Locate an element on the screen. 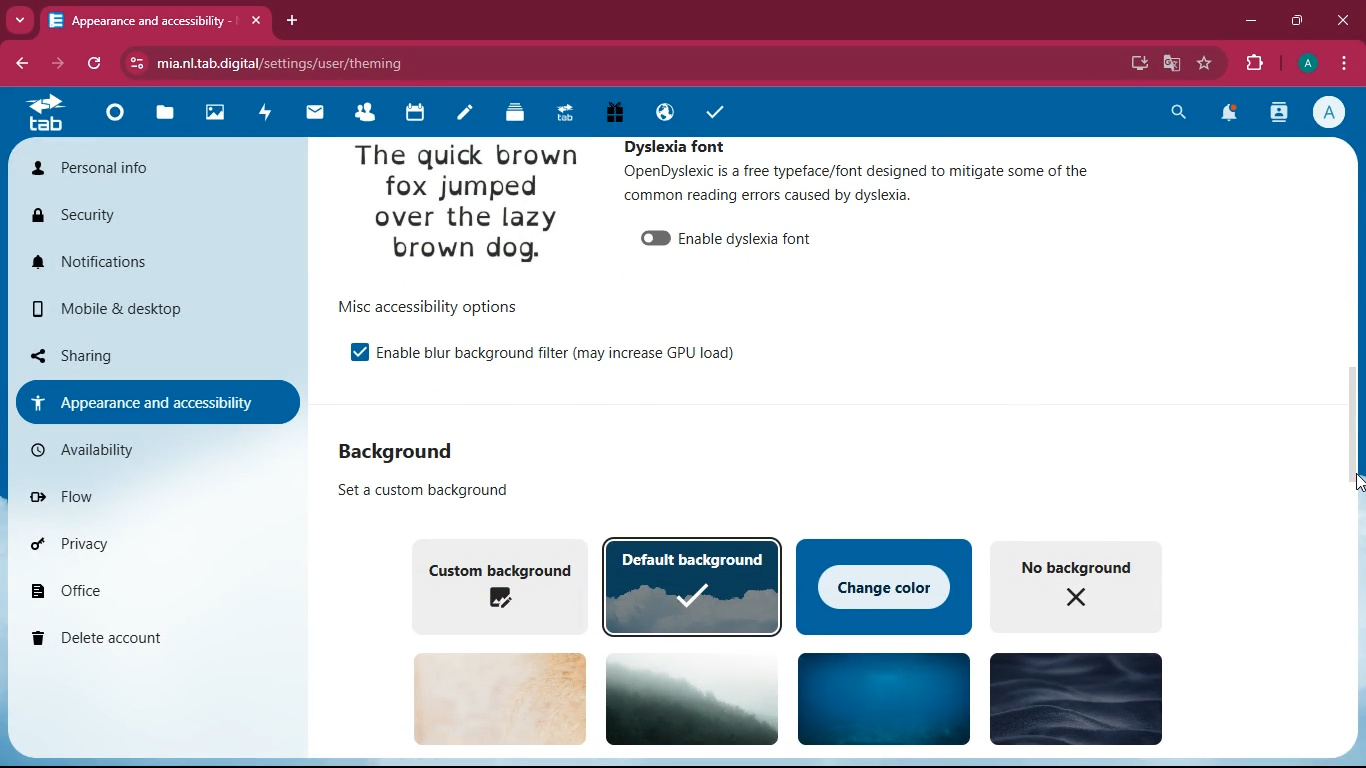 The width and height of the screenshot is (1366, 768). enable dyslexia font is located at coordinates (753, 238).